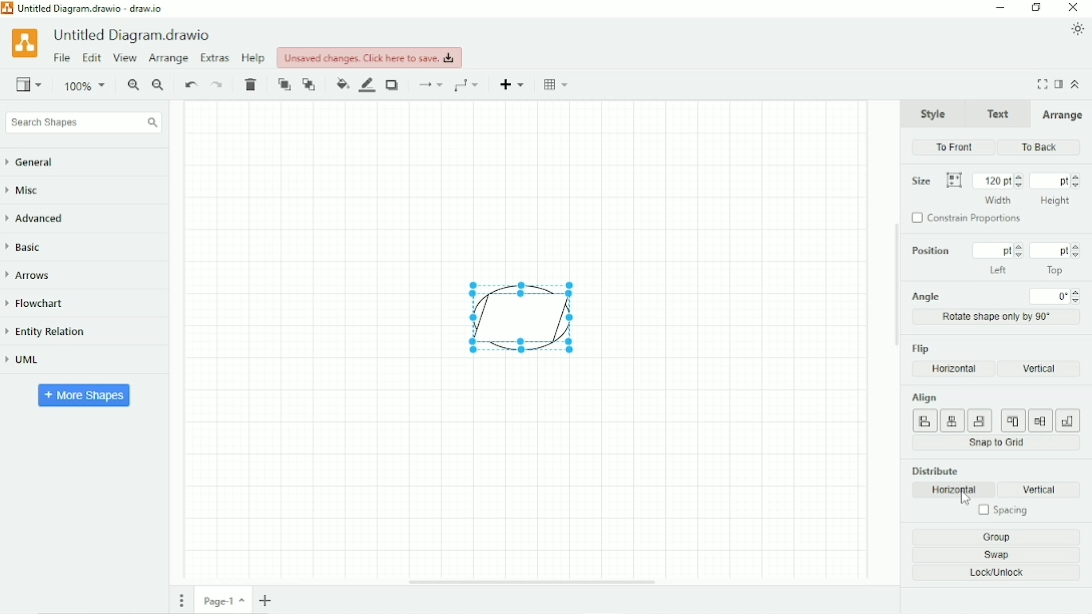 Image resolution: width=1092 pixels, height=614 pixels. What do you see at coordinates (40, 163) in the screenshot?
I see `General` at bounding box center [40, 163].